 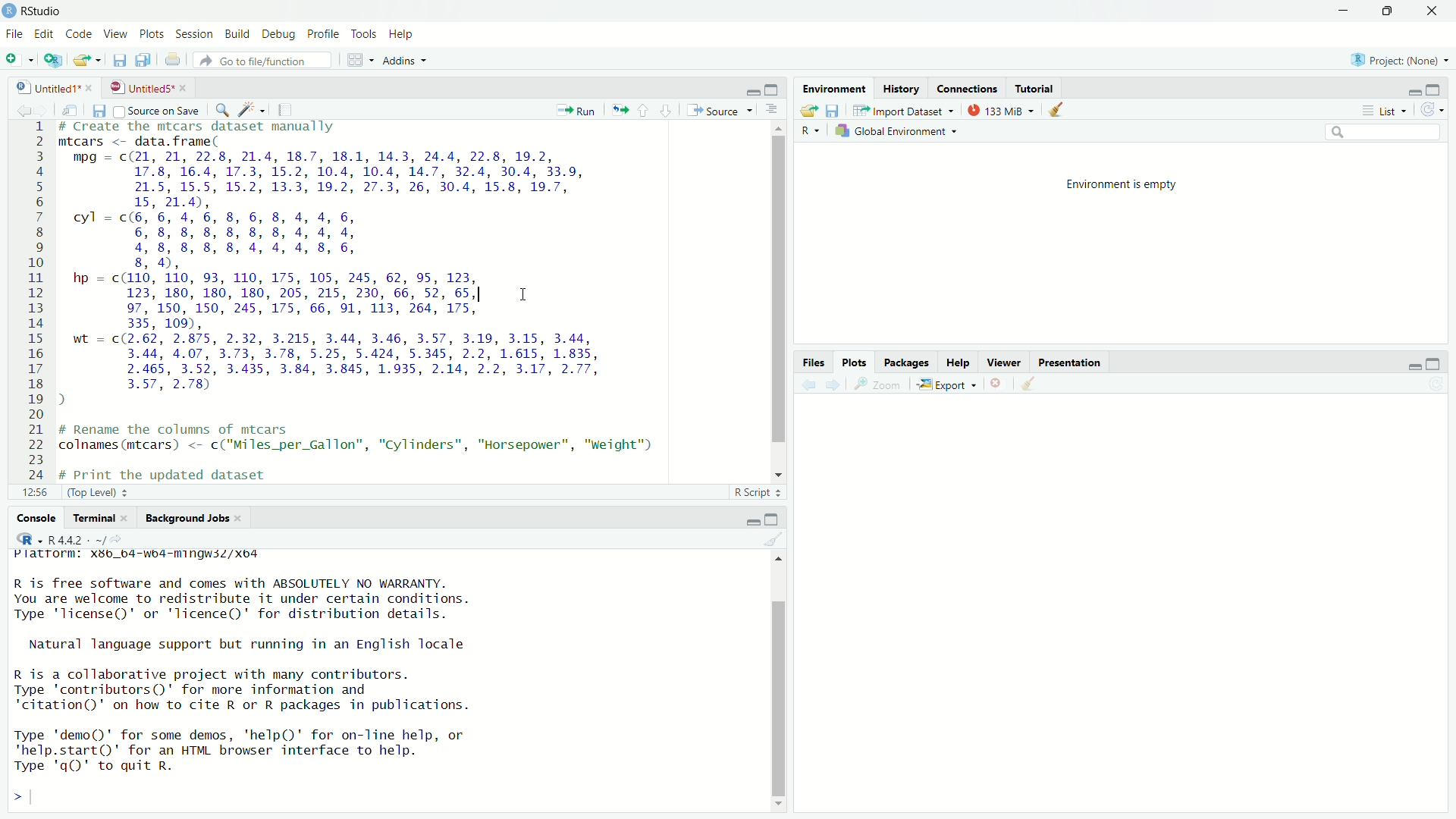 What do you see at coordinates (904, 88) in the screenshot?
I see `History` at bounding box center [904, 88].